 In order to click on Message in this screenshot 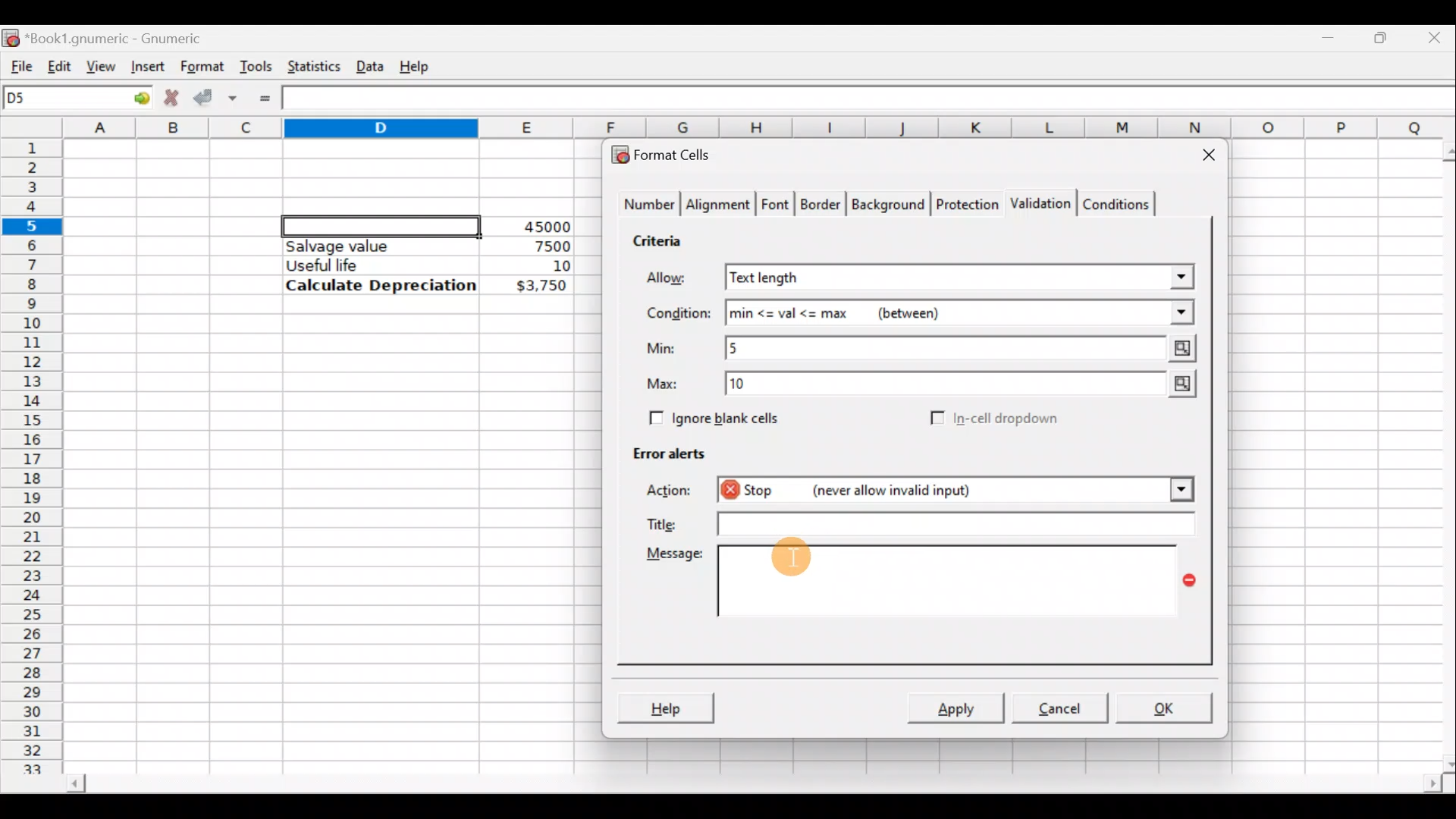, I will do `click(672, 557)`.